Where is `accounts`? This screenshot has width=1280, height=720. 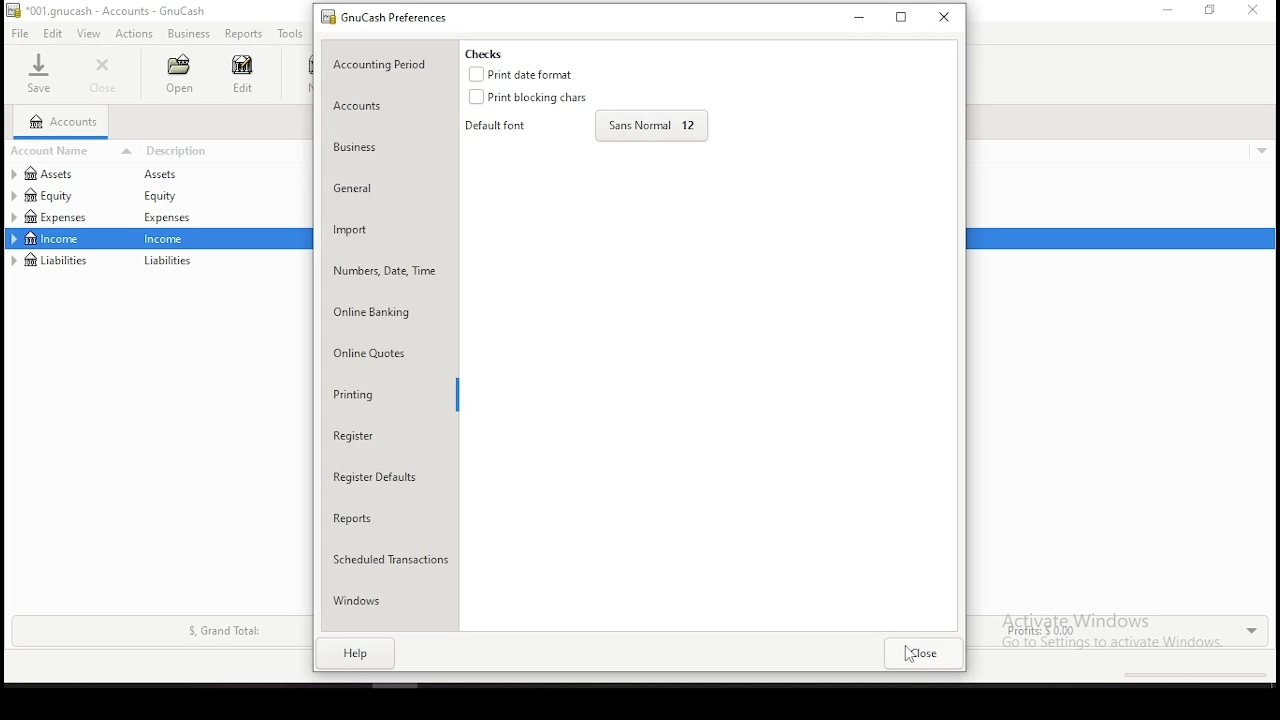
accounts is located at coordinates (62, 122).